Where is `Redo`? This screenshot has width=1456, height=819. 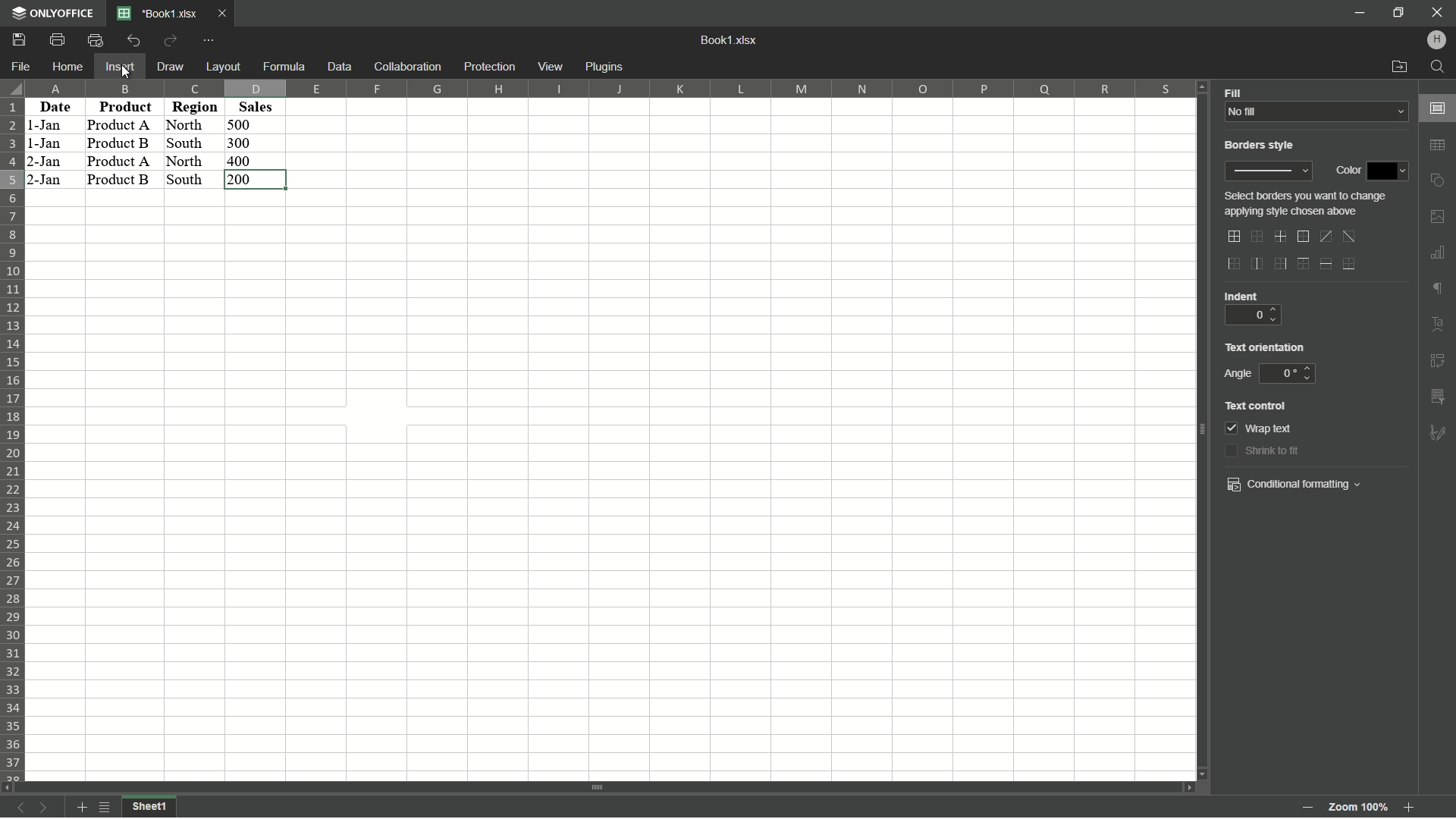 Redo is located at coordinates (171, 39).